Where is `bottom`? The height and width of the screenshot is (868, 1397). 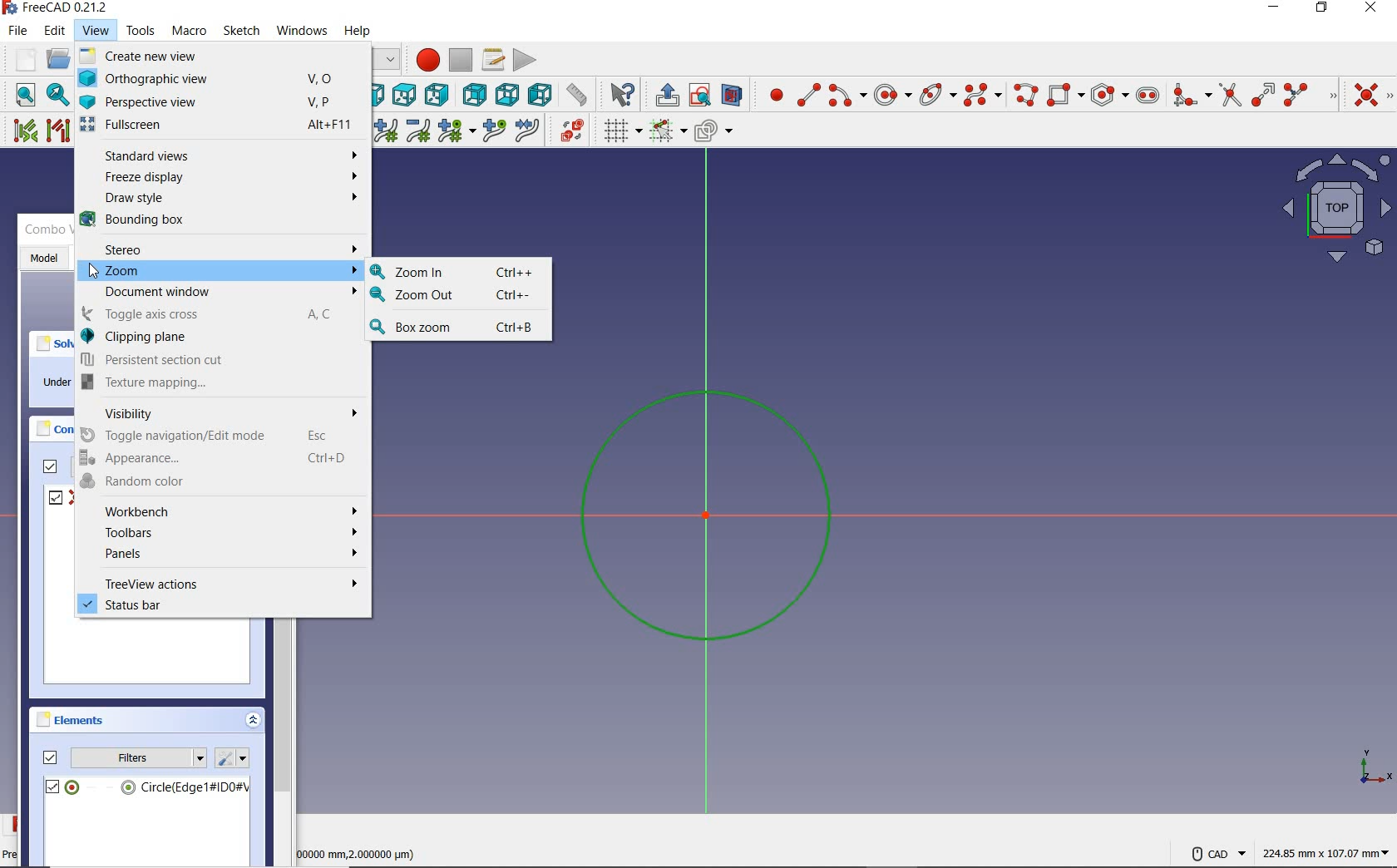 bottom is located at coordinates (506, 94).